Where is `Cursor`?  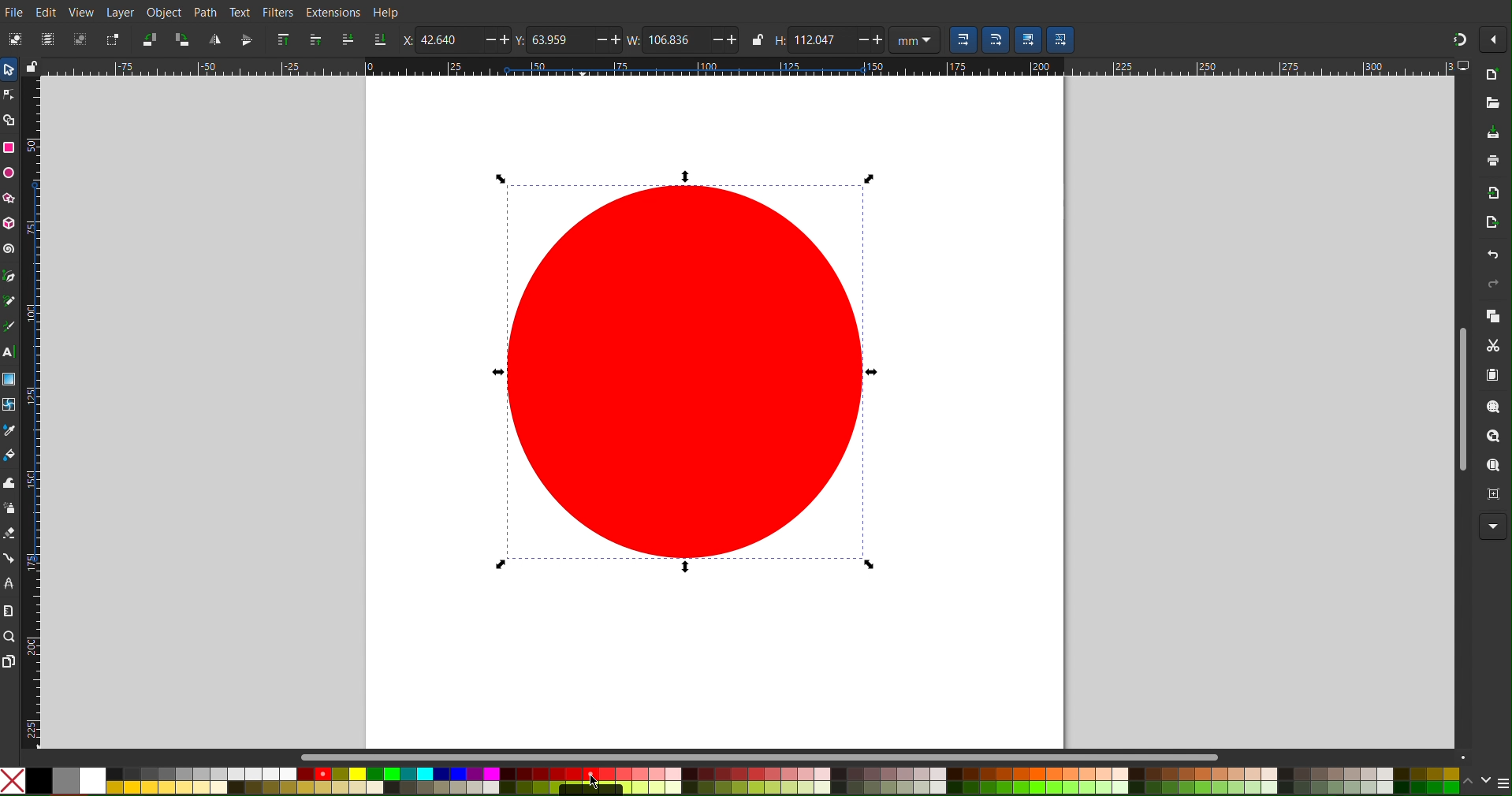 Cursor is located at coordinates (592, 779).